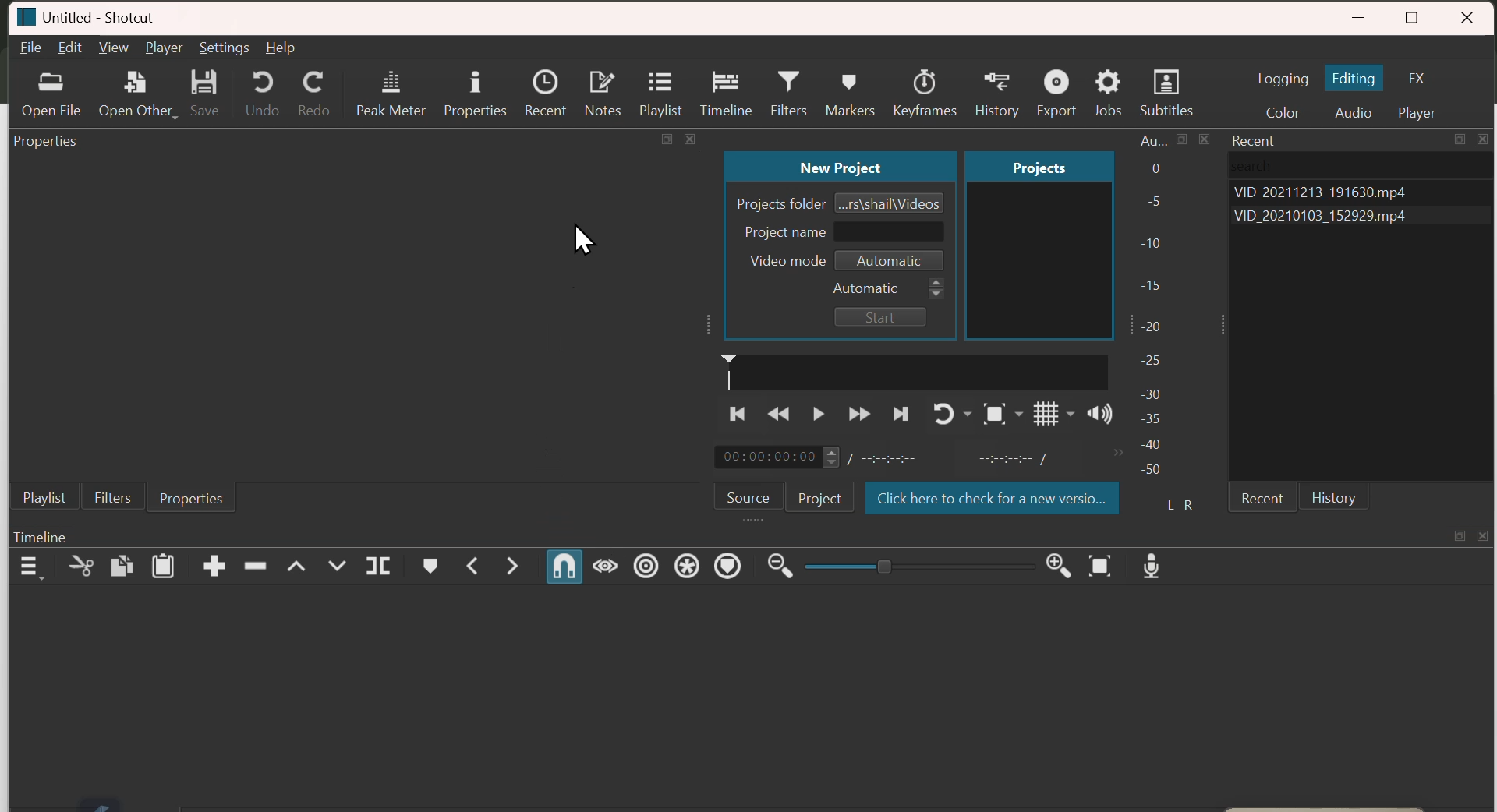 The width and height of the screenshot is (1497, 812). I want to click on Close, so click(1484, 535).